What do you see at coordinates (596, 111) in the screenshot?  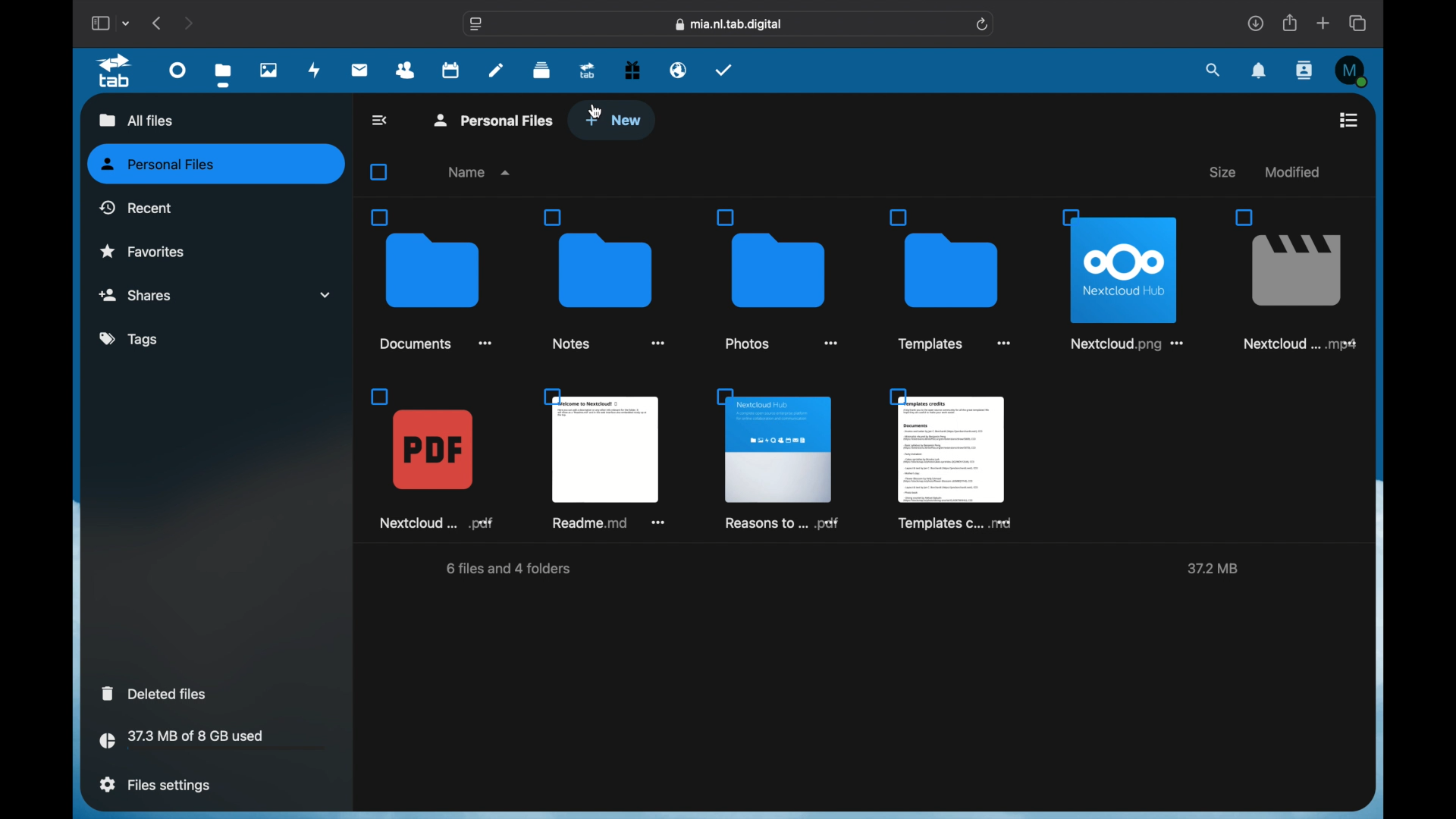 I see `cursor` at bounding box center [596, 111].